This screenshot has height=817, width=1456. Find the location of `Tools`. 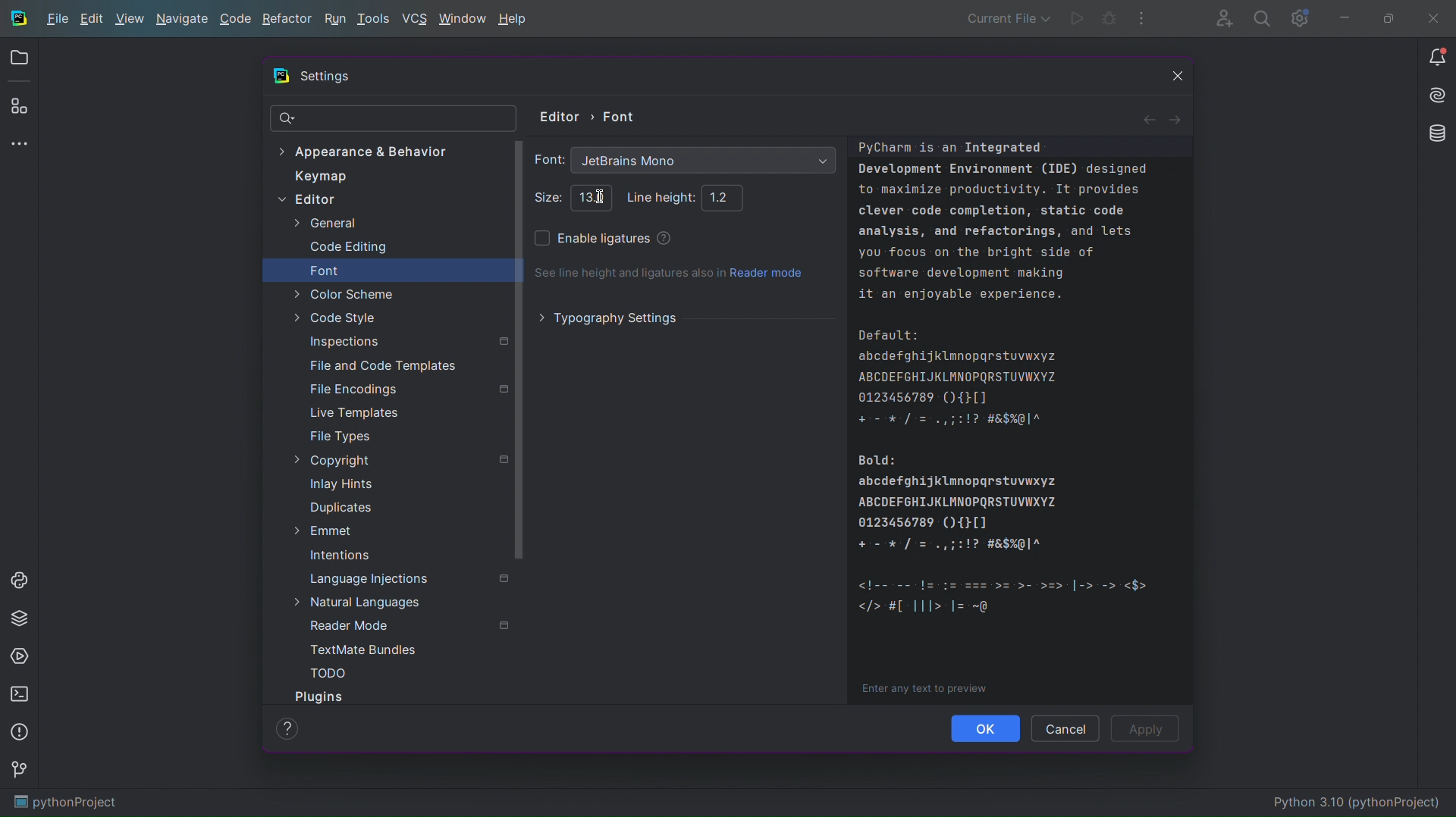

Tools is located at coordinates (375, 20).